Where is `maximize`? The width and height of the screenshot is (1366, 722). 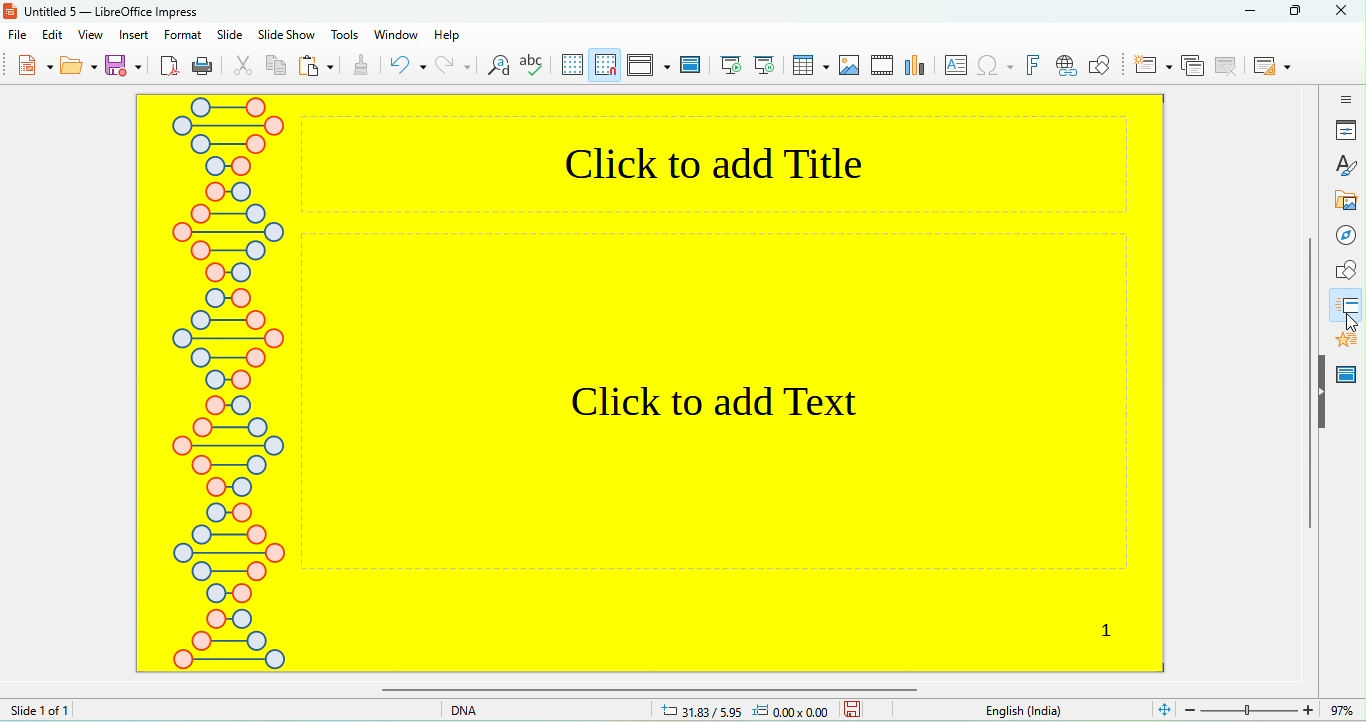 maximize is located at coordinates (1300, 10).